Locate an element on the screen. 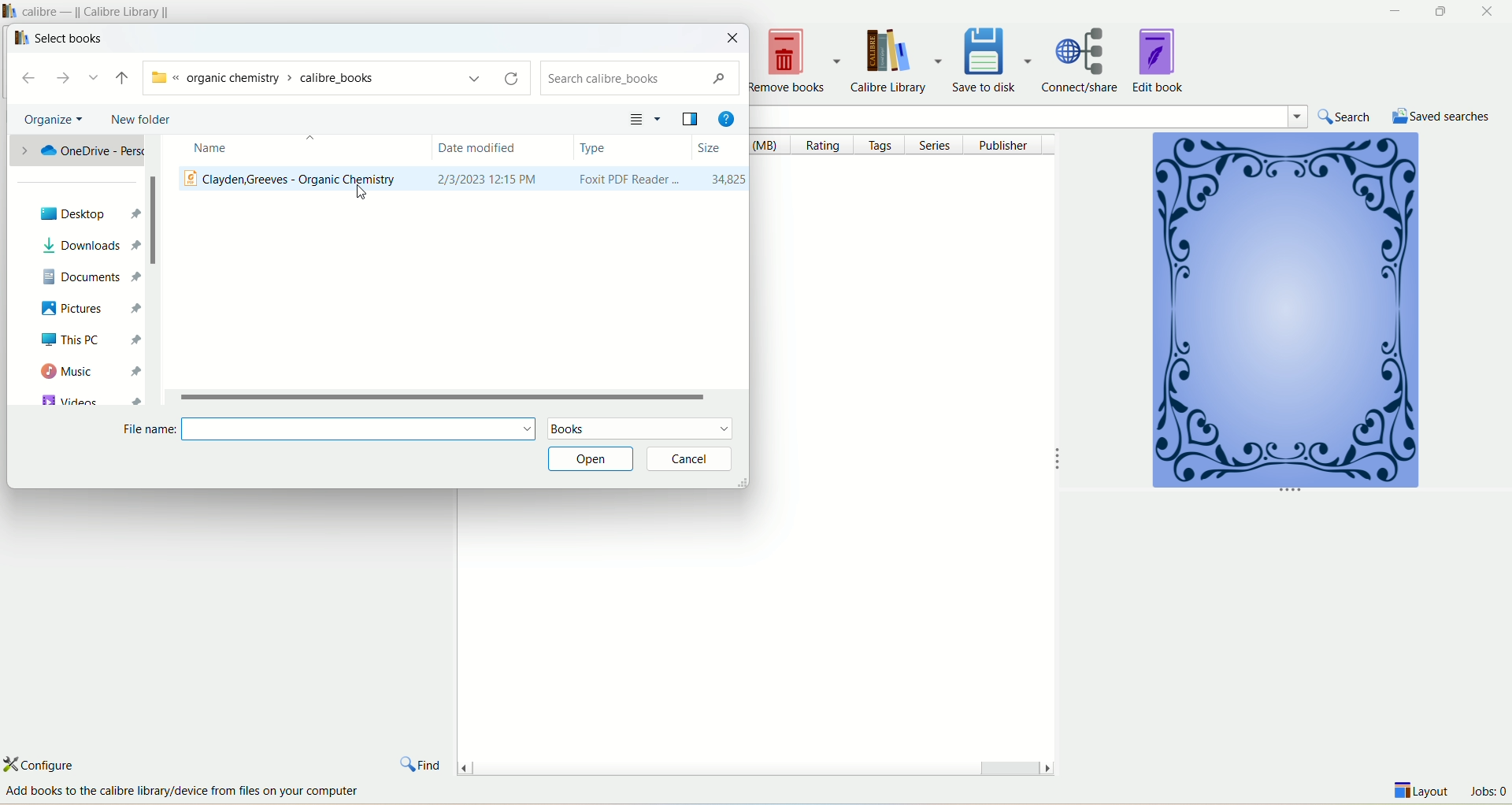 The height and width of the screenshot is (805, 1512). search is located at coordinates (640, 80).